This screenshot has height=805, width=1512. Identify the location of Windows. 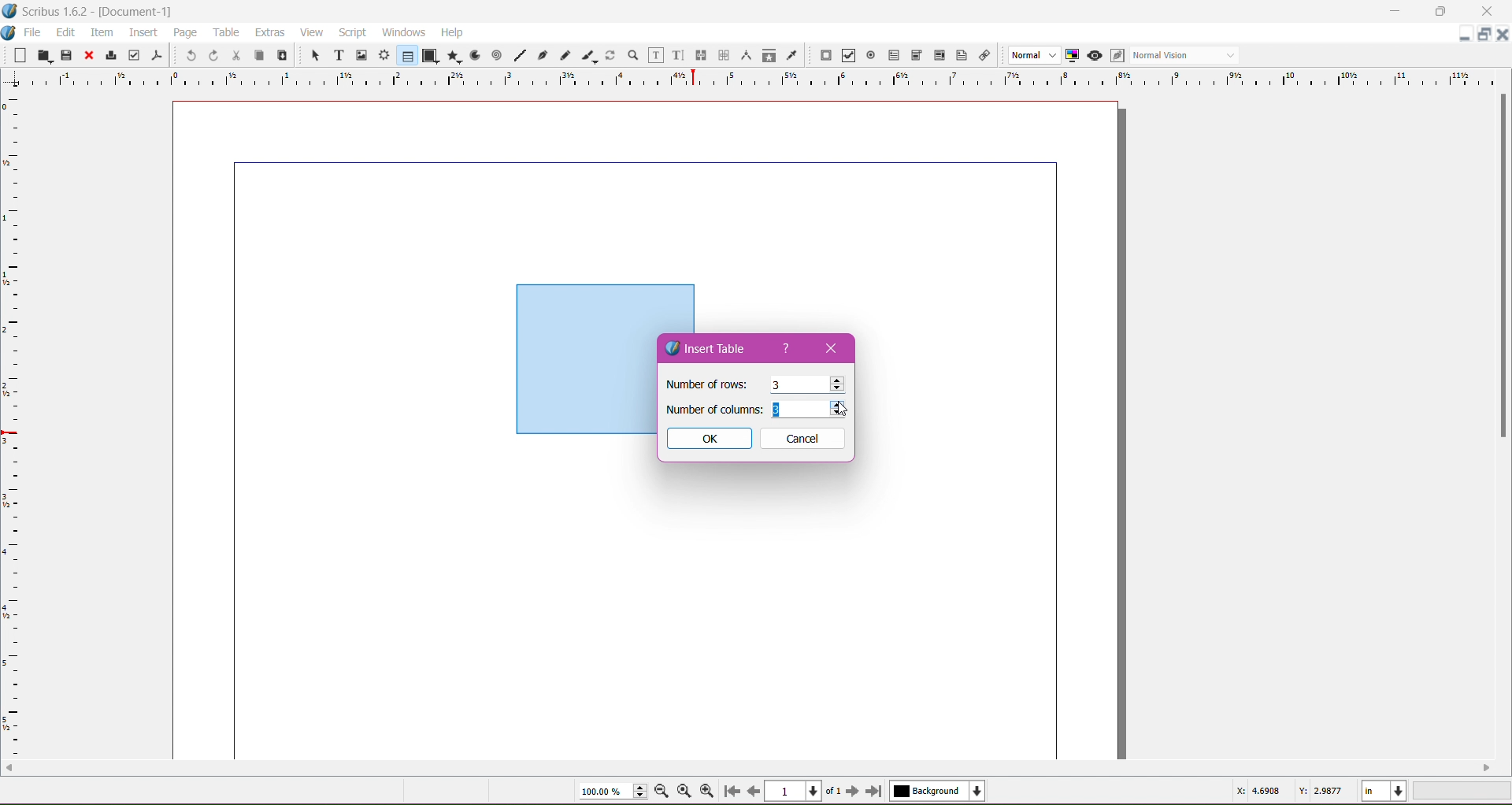
(402, 32).